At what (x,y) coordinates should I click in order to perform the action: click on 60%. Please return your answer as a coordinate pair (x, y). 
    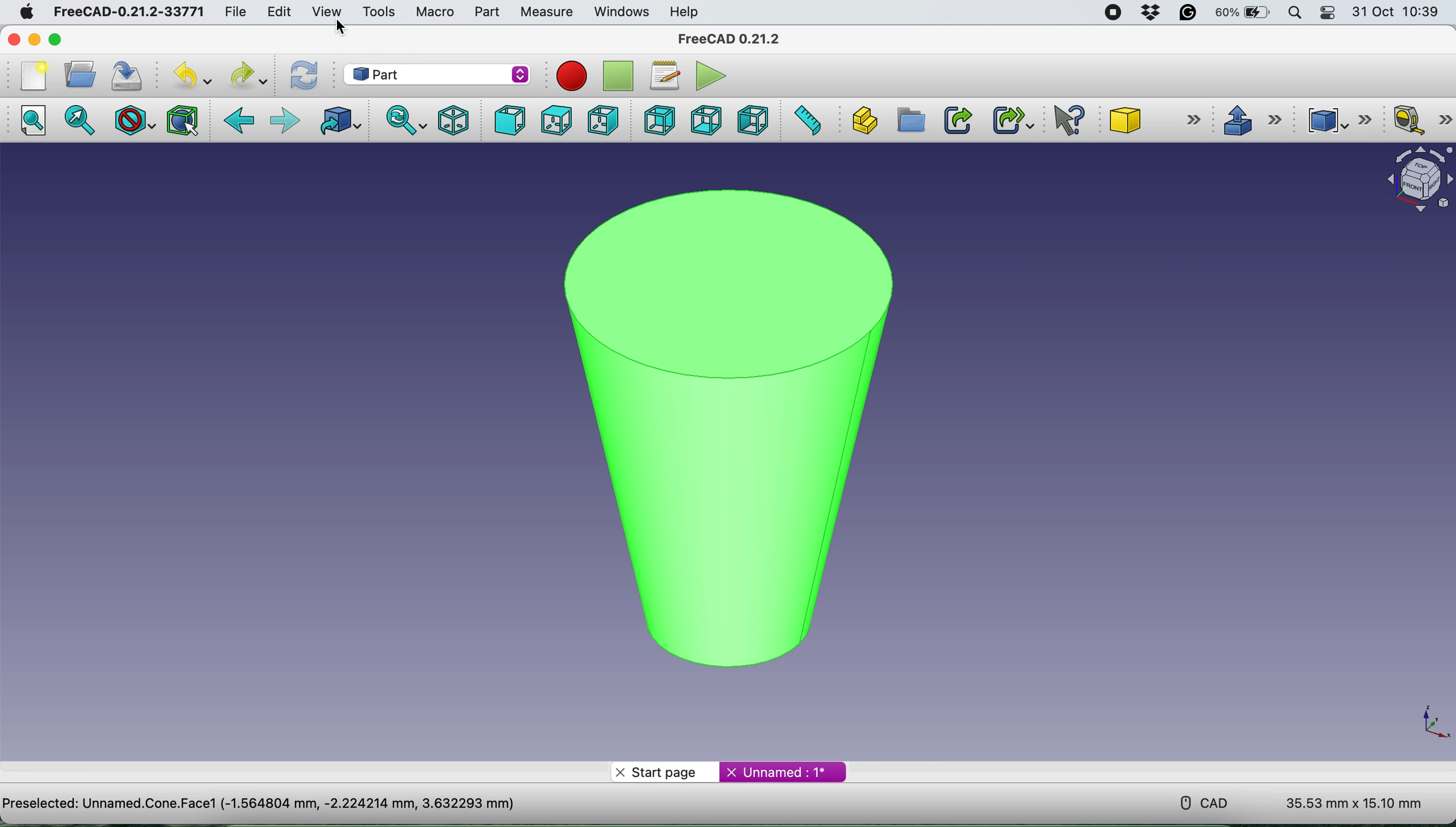
    Looking at the image, I should click on (1242, 14).